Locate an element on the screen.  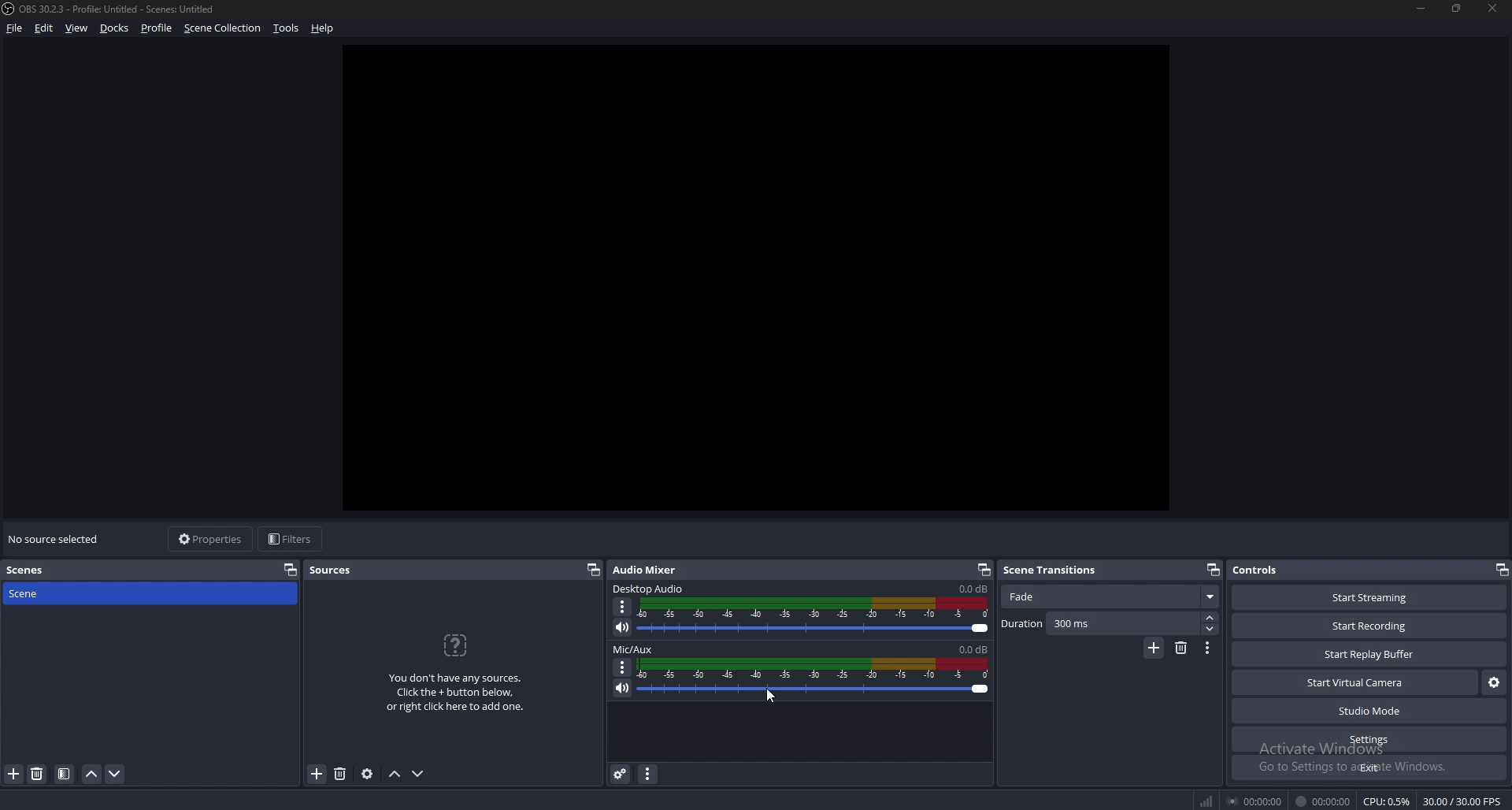
add scene is located at coordinates (13, 774).